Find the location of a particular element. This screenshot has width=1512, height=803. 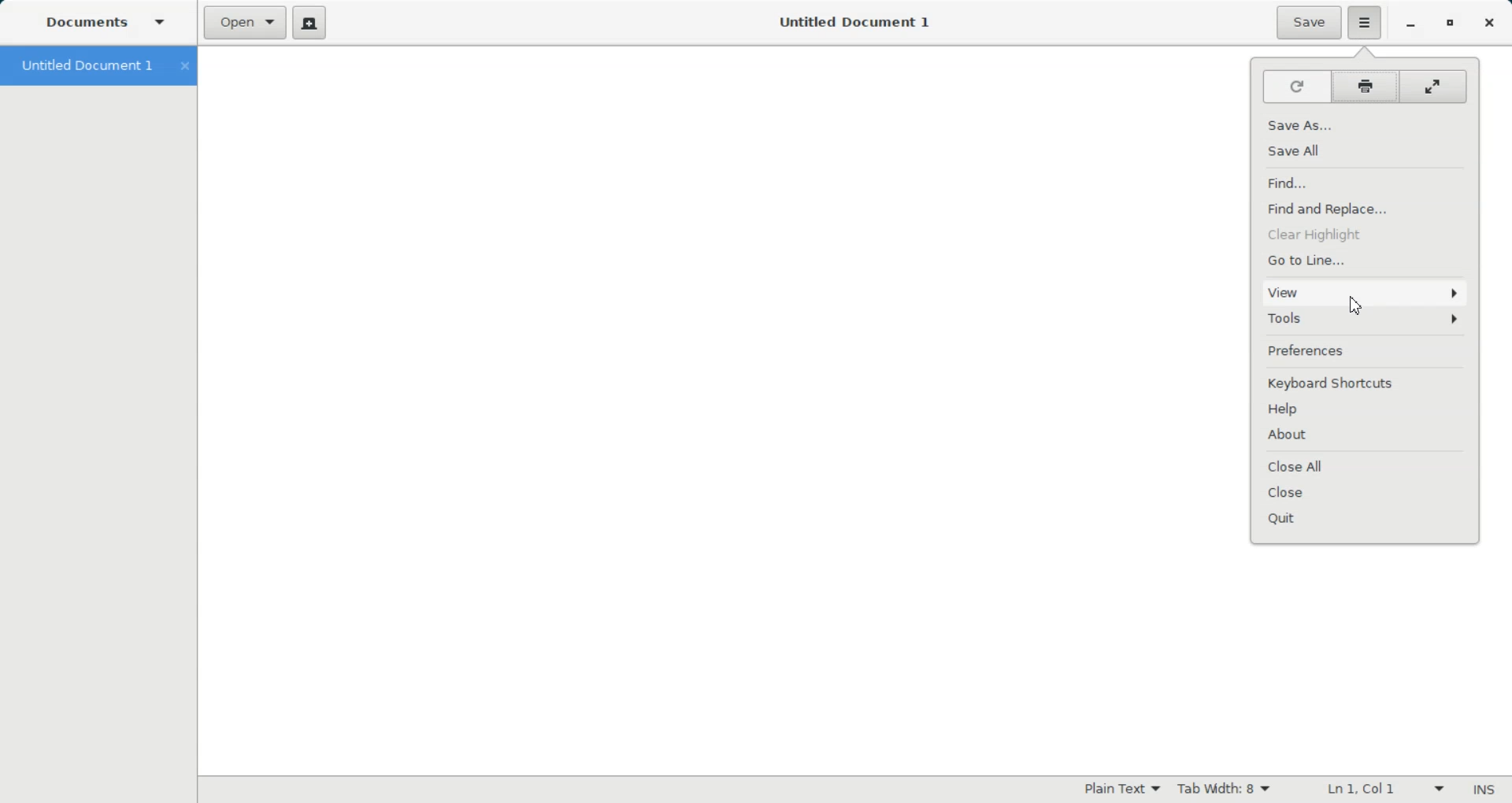

Save All is located at coordinates (1362, 150).